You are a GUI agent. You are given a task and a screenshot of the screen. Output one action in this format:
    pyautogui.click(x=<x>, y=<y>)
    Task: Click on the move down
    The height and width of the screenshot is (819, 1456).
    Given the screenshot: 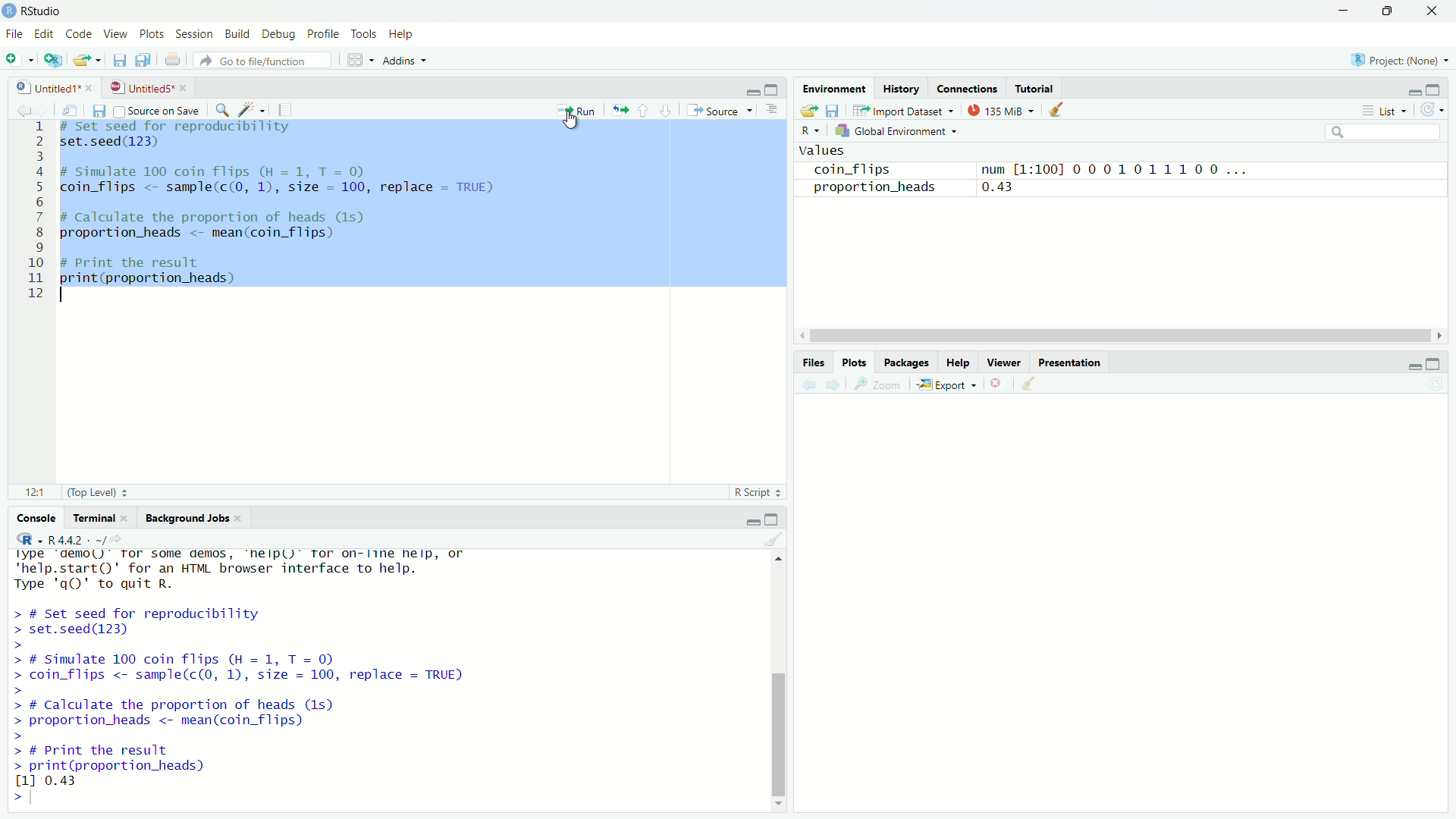 What is the action you would take?
    pyautogui.click(x=777, y=802)
    